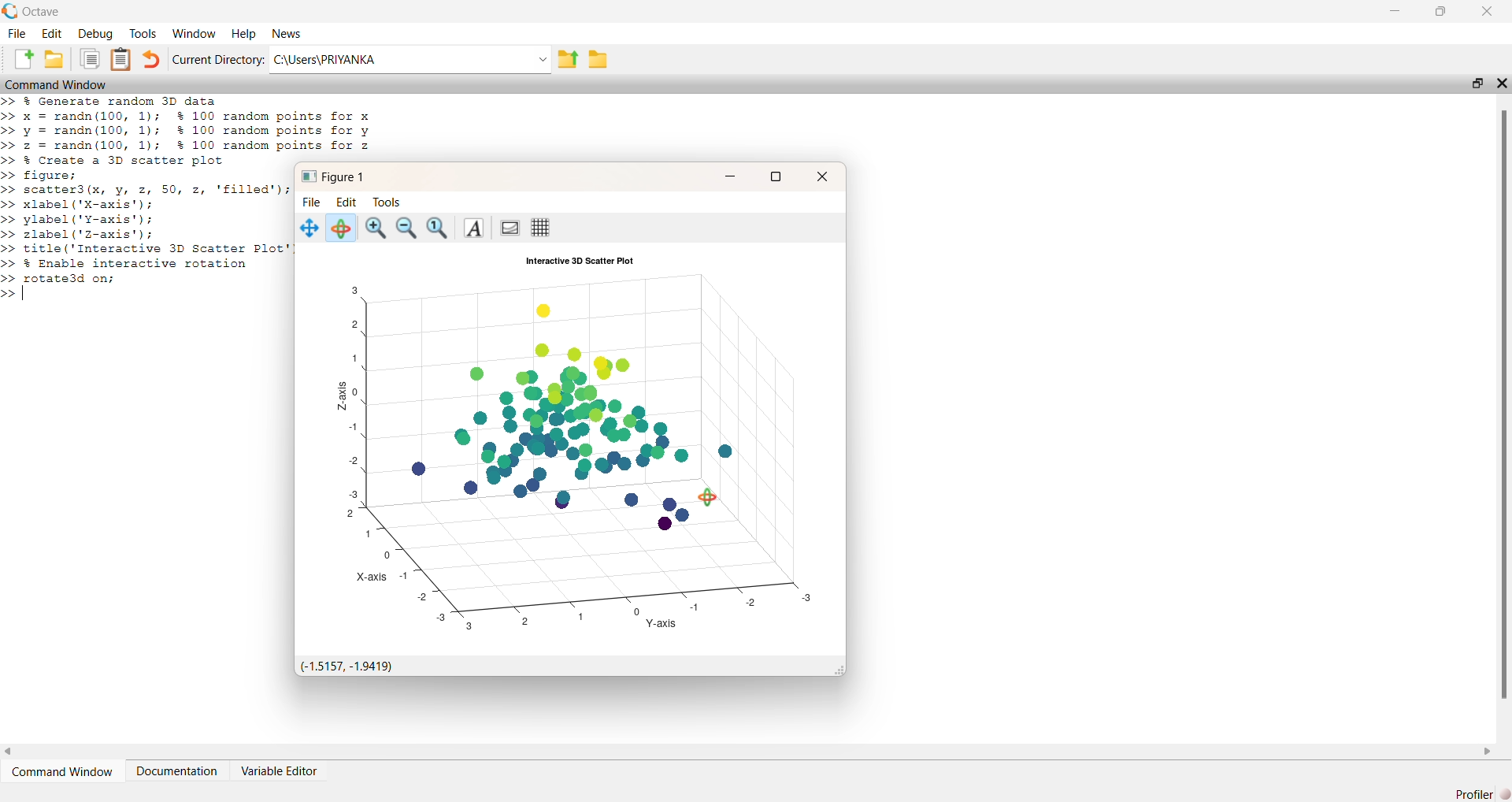  What do you see at coordinates (41, 12) in the screenshot?
I see `Octave` at bounding box center [41, 12].